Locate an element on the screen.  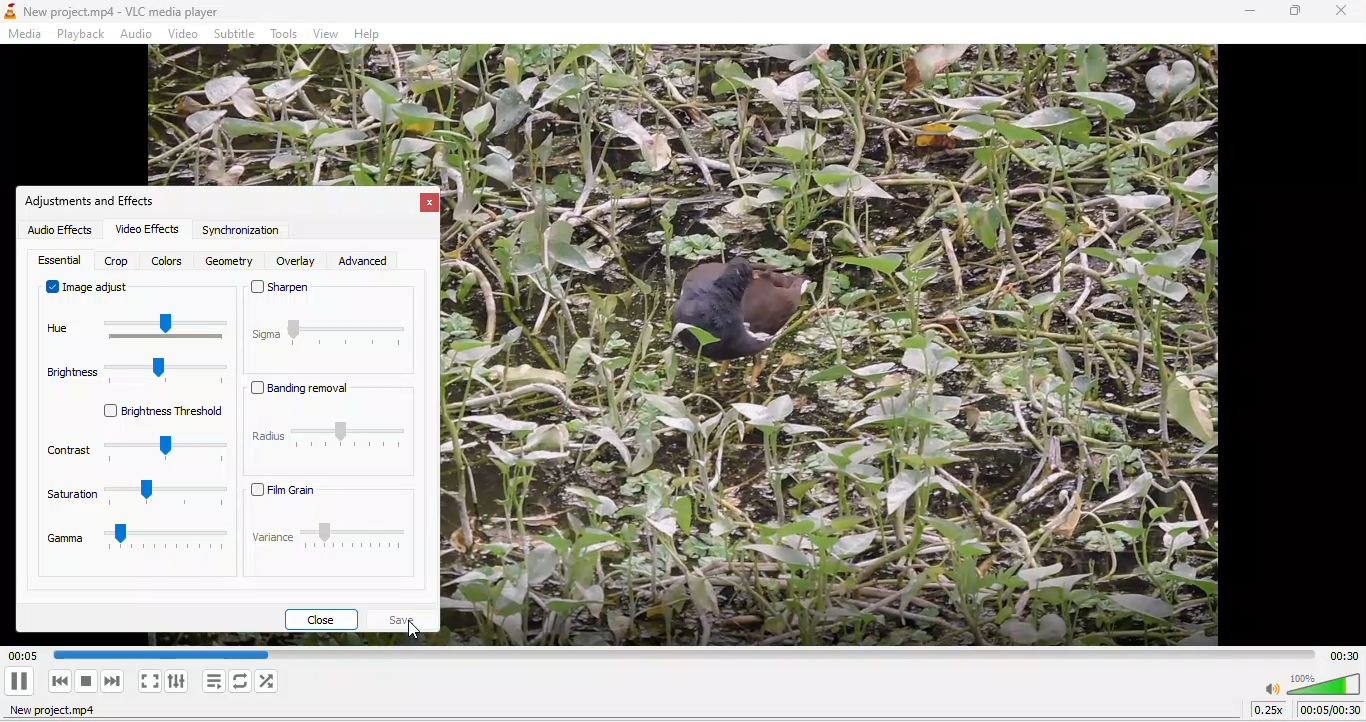
geometry is located at coordinates (228, 262).